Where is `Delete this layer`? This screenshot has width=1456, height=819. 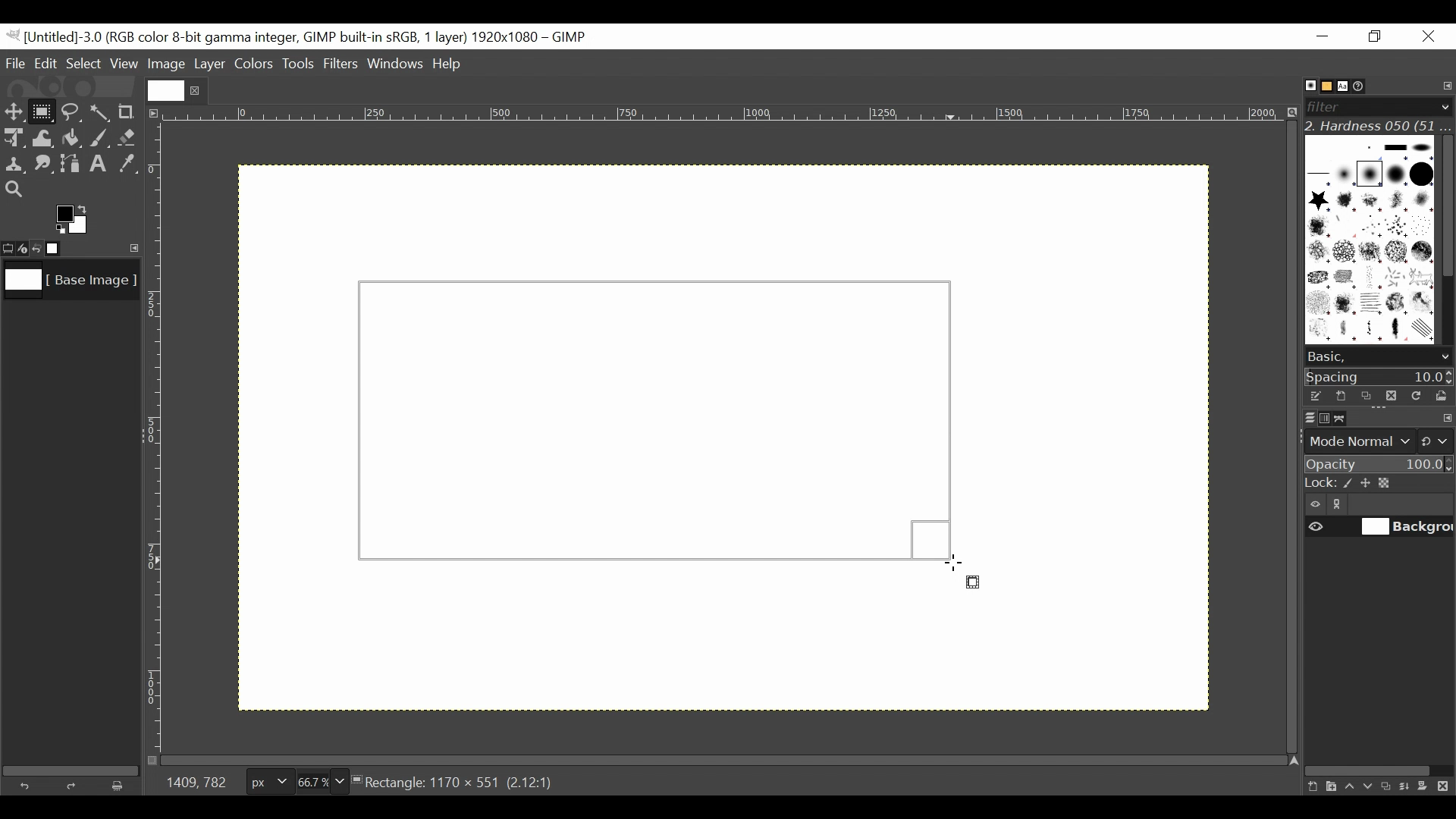
Delete this layer is located at coordinates (1446, 787).